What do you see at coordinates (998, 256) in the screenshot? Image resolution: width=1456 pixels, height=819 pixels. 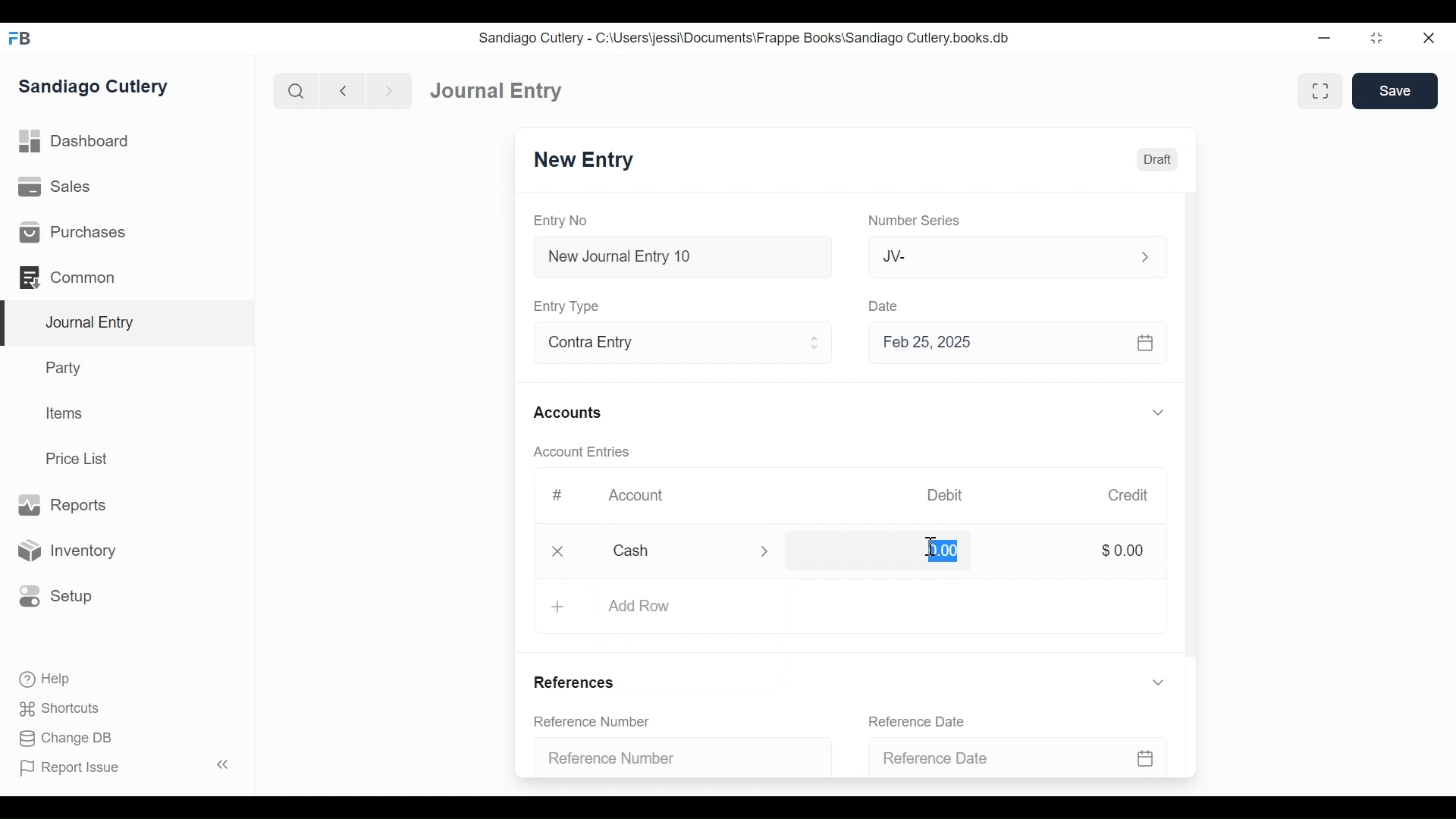 I see `JV-` at bounding box center [998, 256].